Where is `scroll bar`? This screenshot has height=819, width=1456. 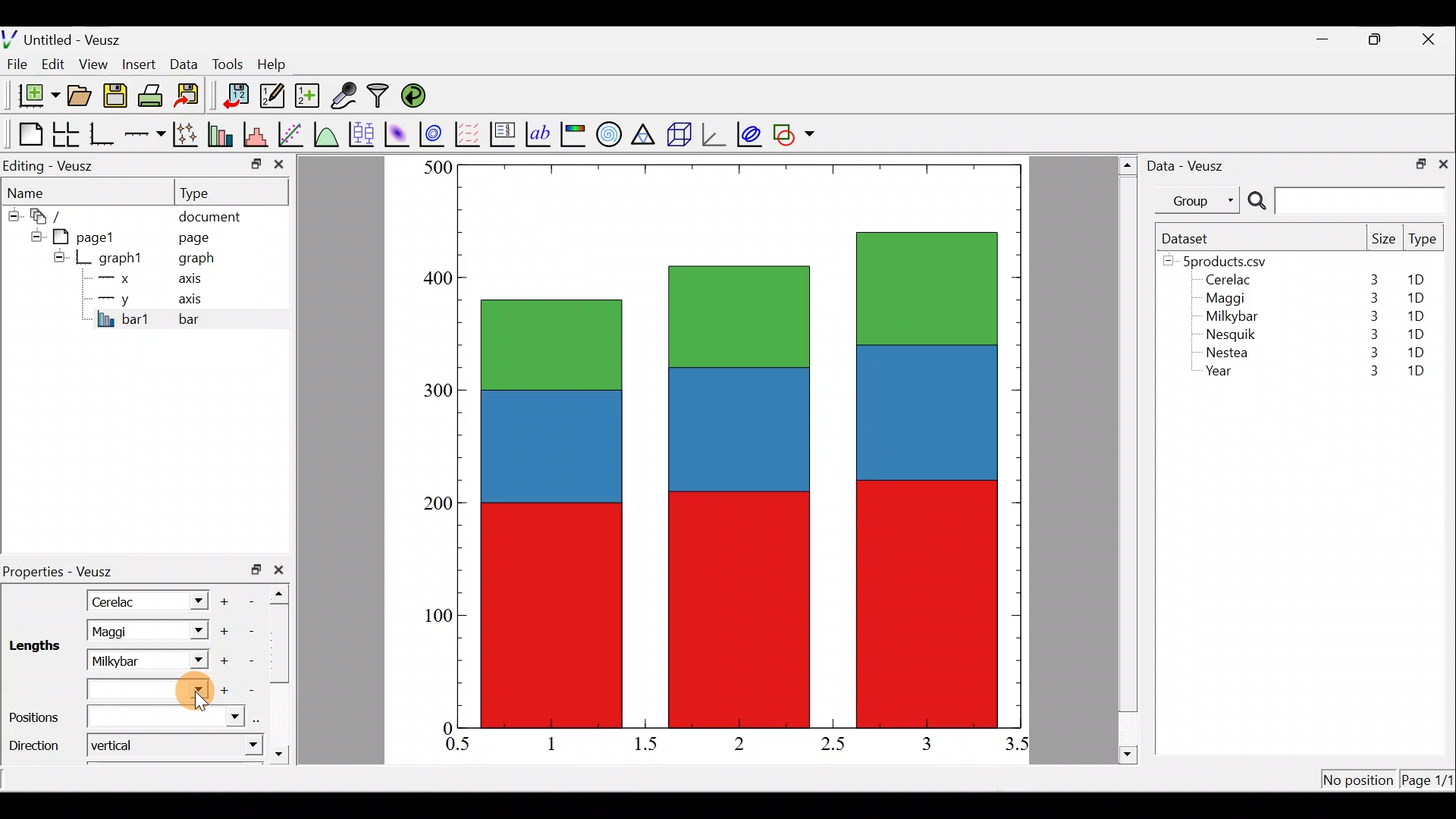
scroll bar is located at coordinates (1128, 457).